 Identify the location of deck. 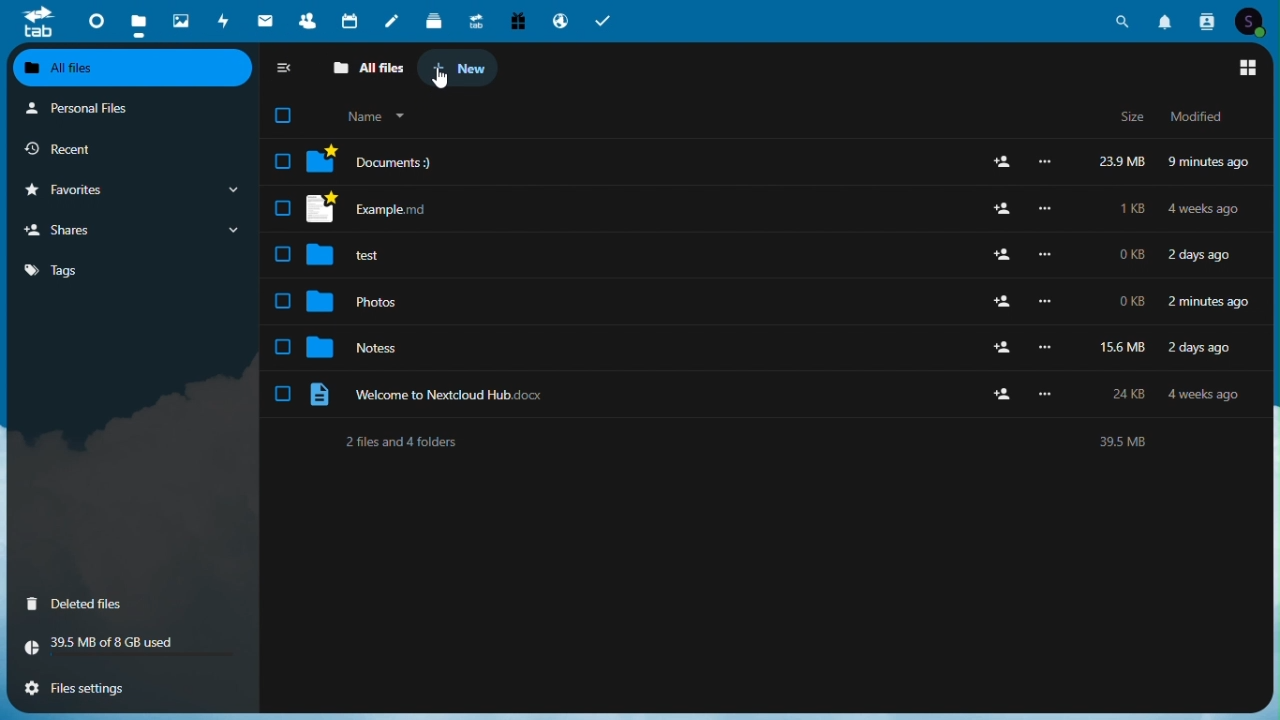
(434, 19).